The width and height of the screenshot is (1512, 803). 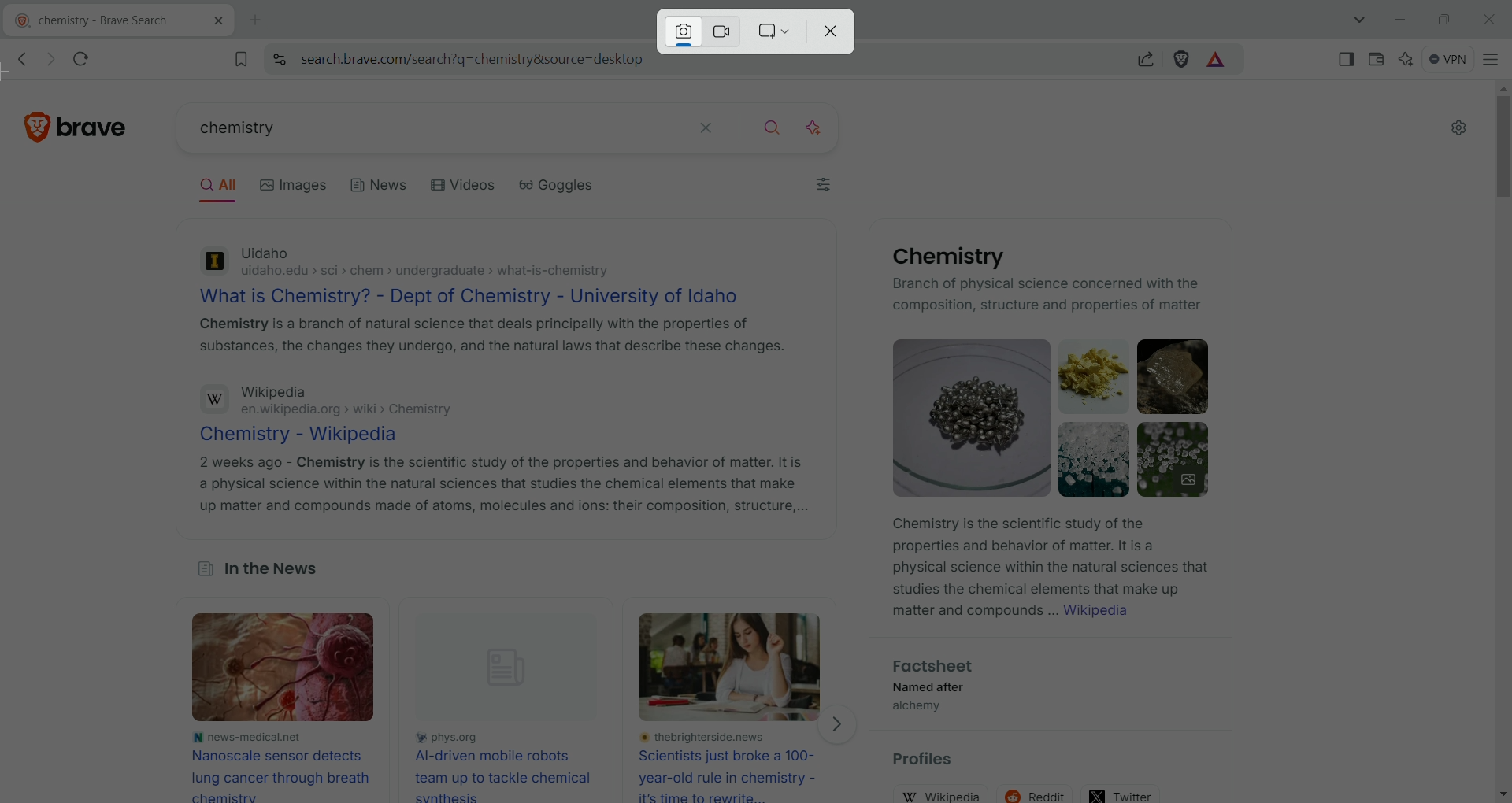 What do you see at coordinates (1499, 439) in the screenshot?
I see `vertical scroll bar` at bounding box center [1499, 439].